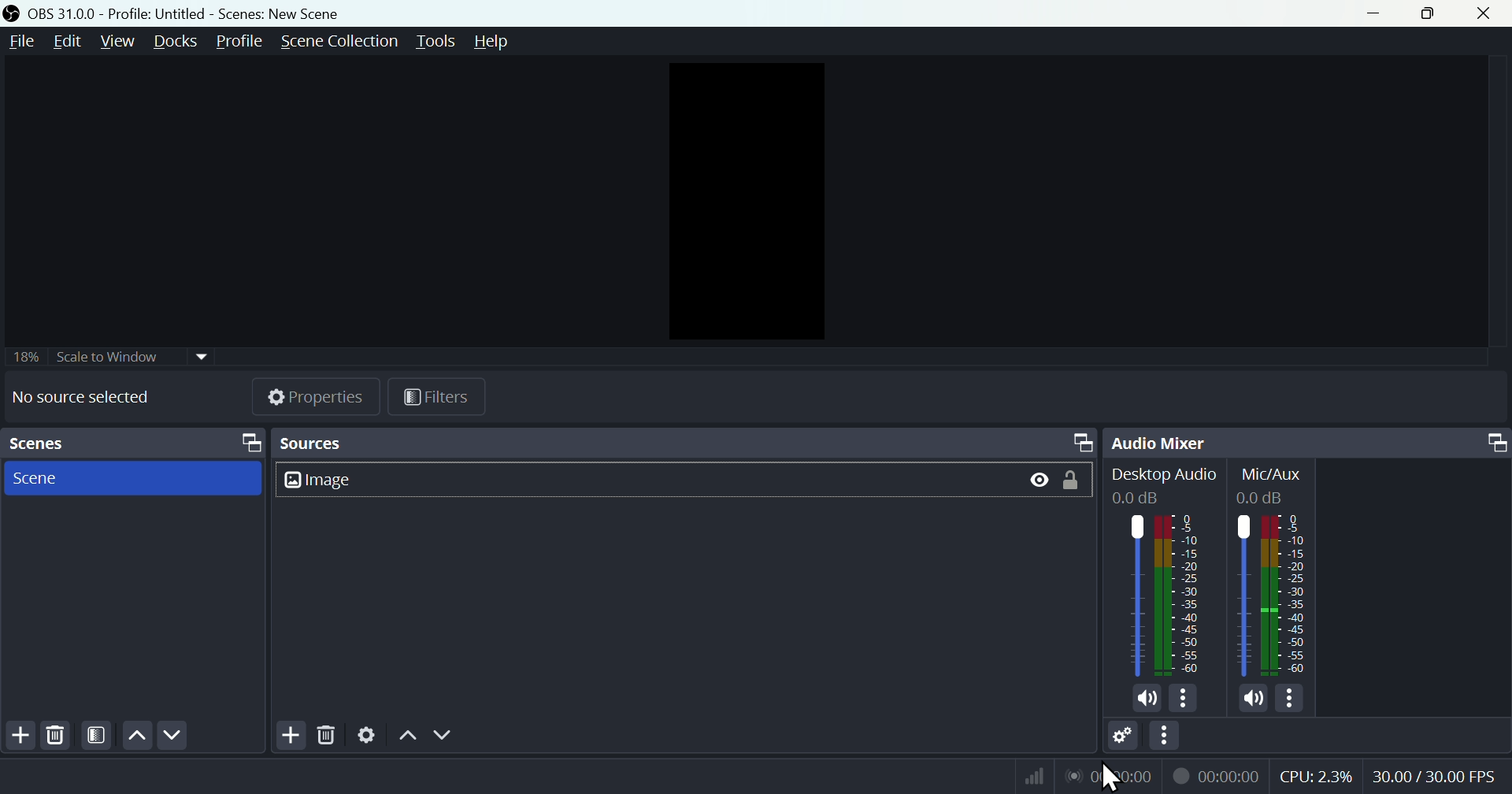  I want to click on up, so click(136, 736).